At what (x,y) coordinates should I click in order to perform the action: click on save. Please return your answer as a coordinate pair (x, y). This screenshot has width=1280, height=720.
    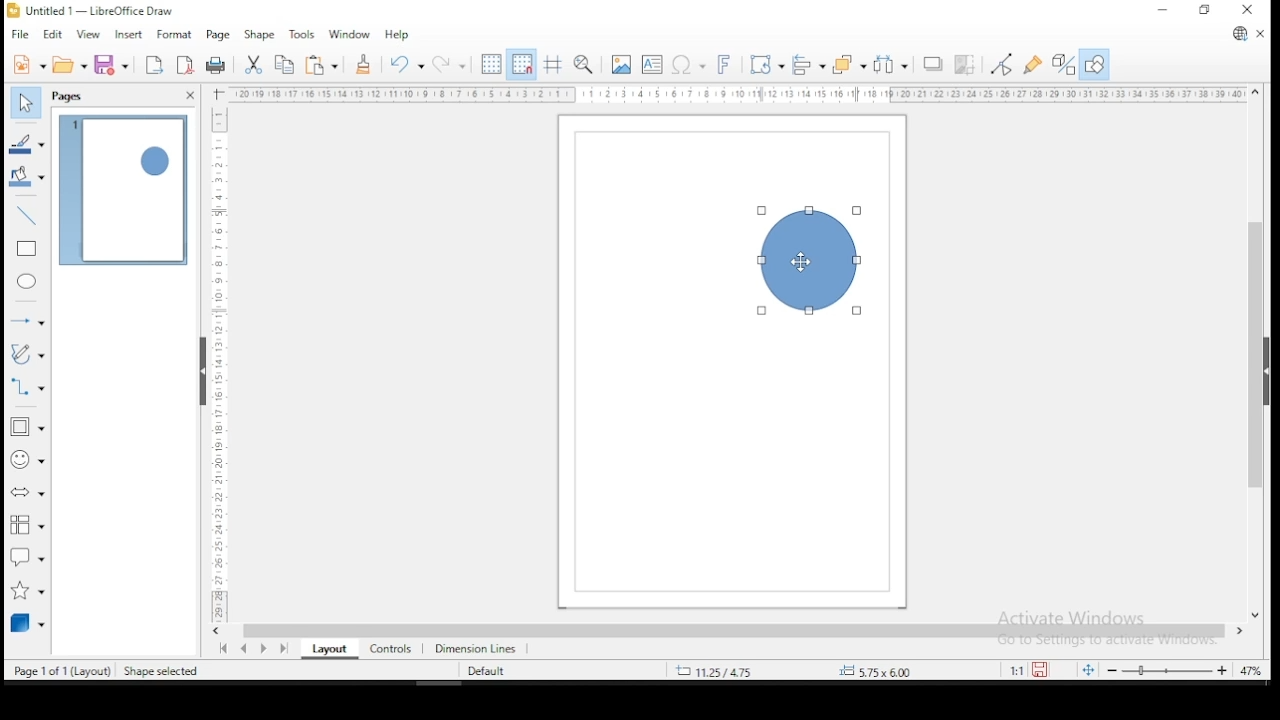
    Looking at the image, I should click on (1042, 670).